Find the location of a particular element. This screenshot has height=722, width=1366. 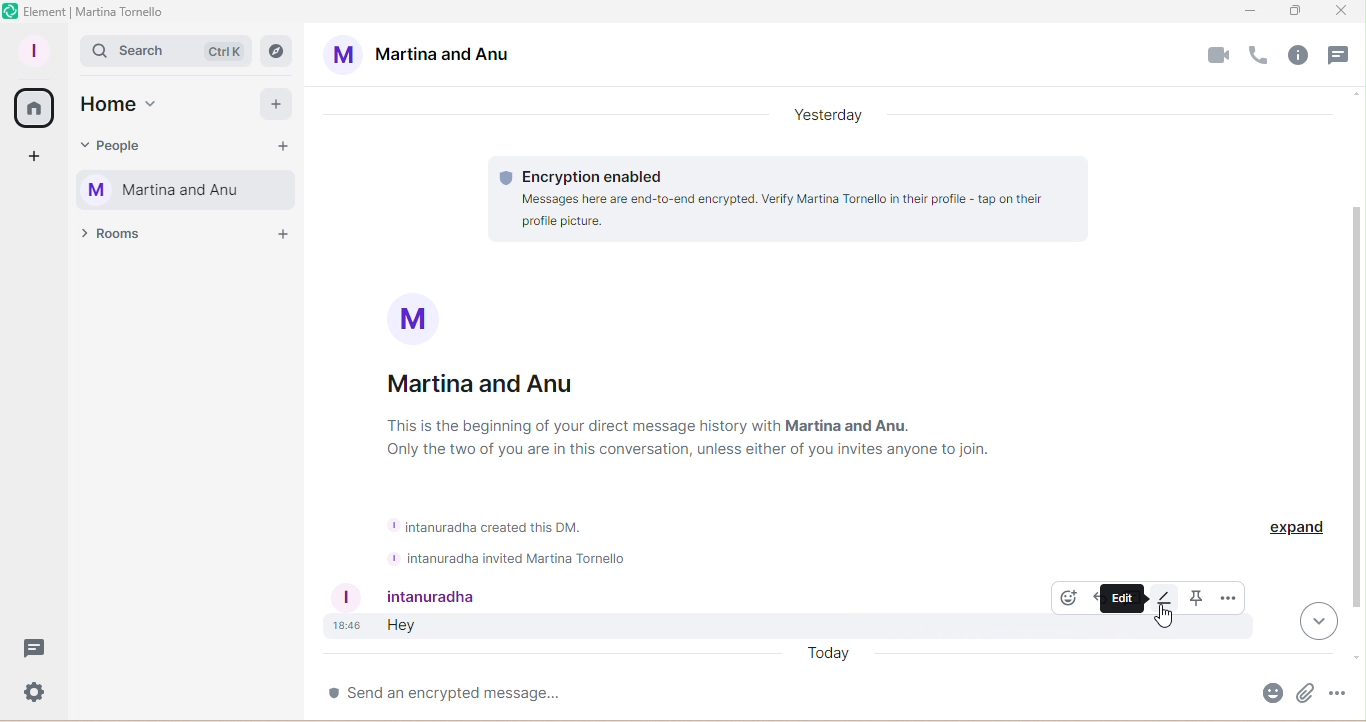

Encryption information is located at coordinates (793, 198).